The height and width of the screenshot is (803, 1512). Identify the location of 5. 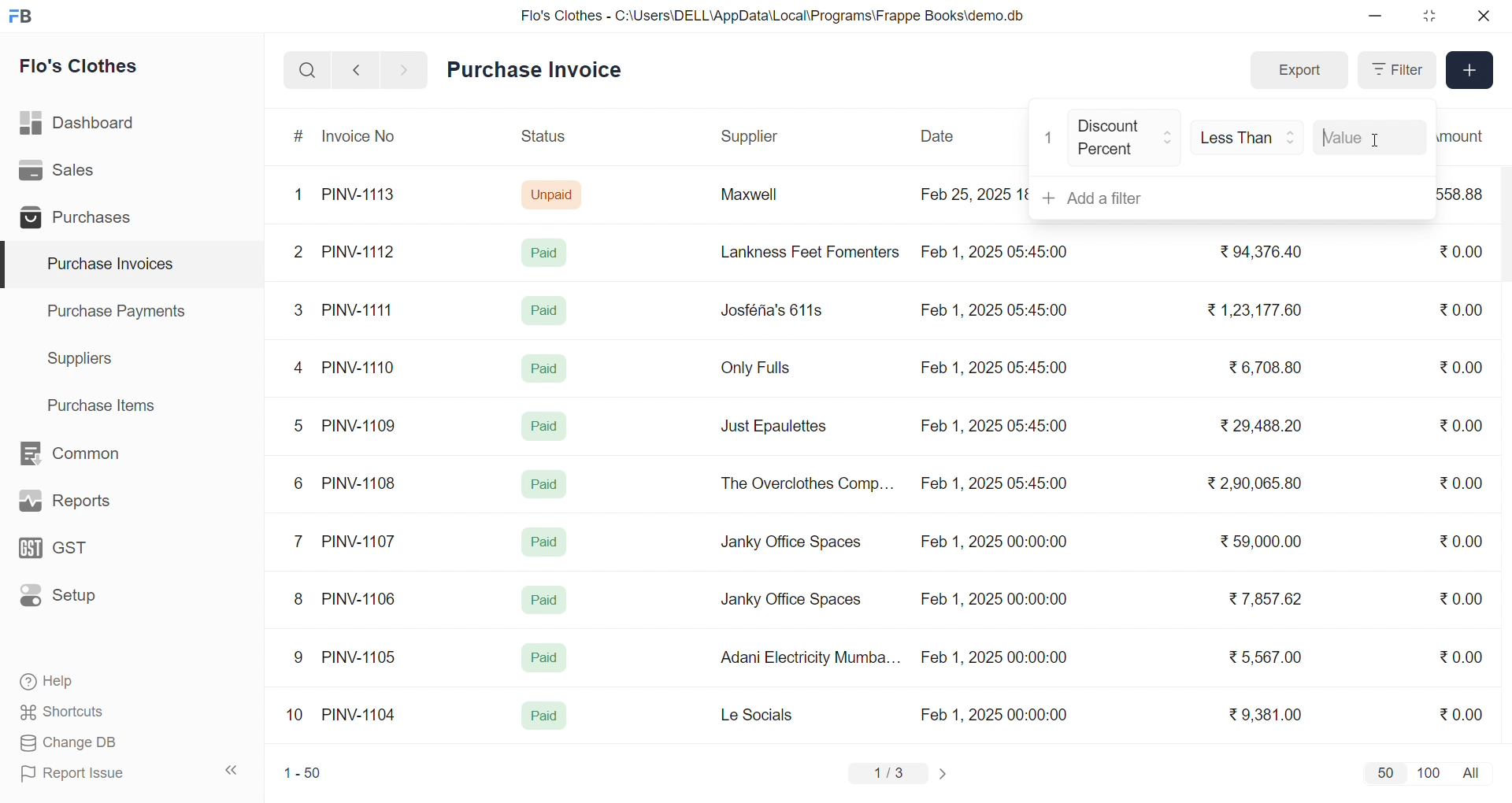
(298, 425).